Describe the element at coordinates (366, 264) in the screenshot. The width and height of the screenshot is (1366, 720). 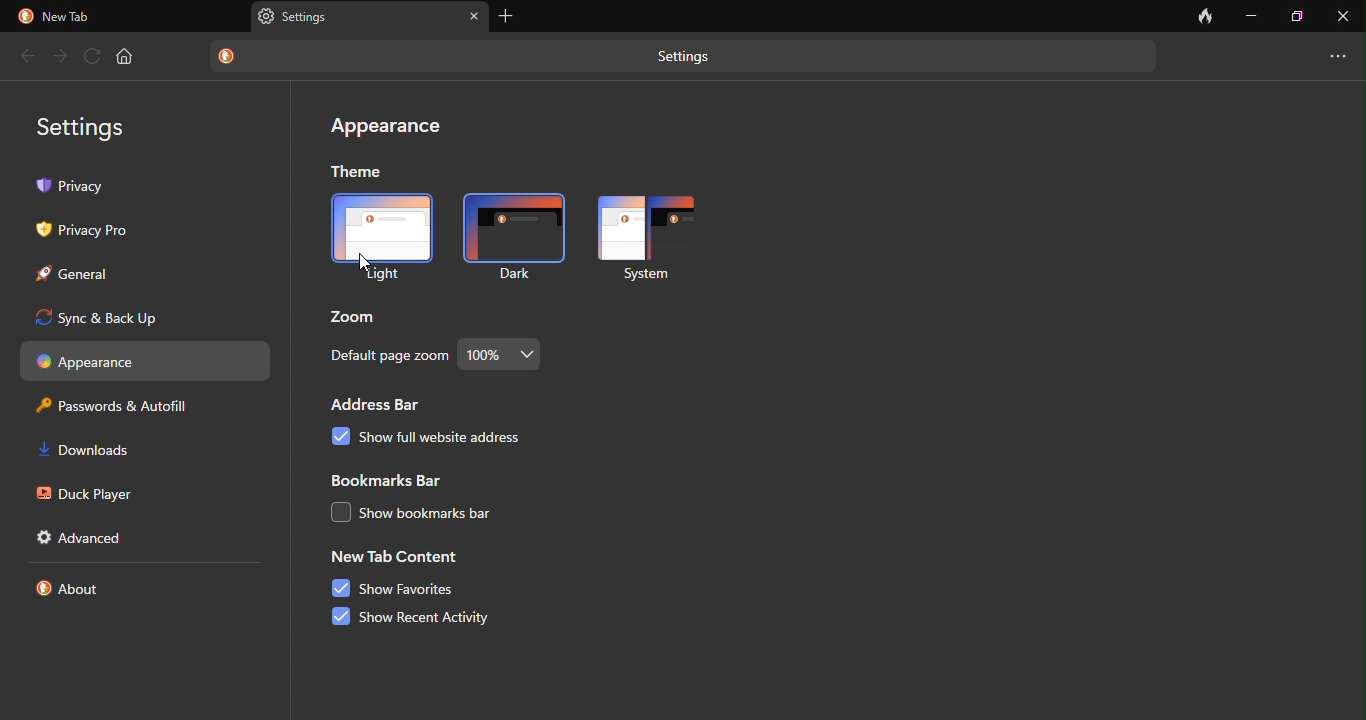
I see `cursor movement ` at that location.